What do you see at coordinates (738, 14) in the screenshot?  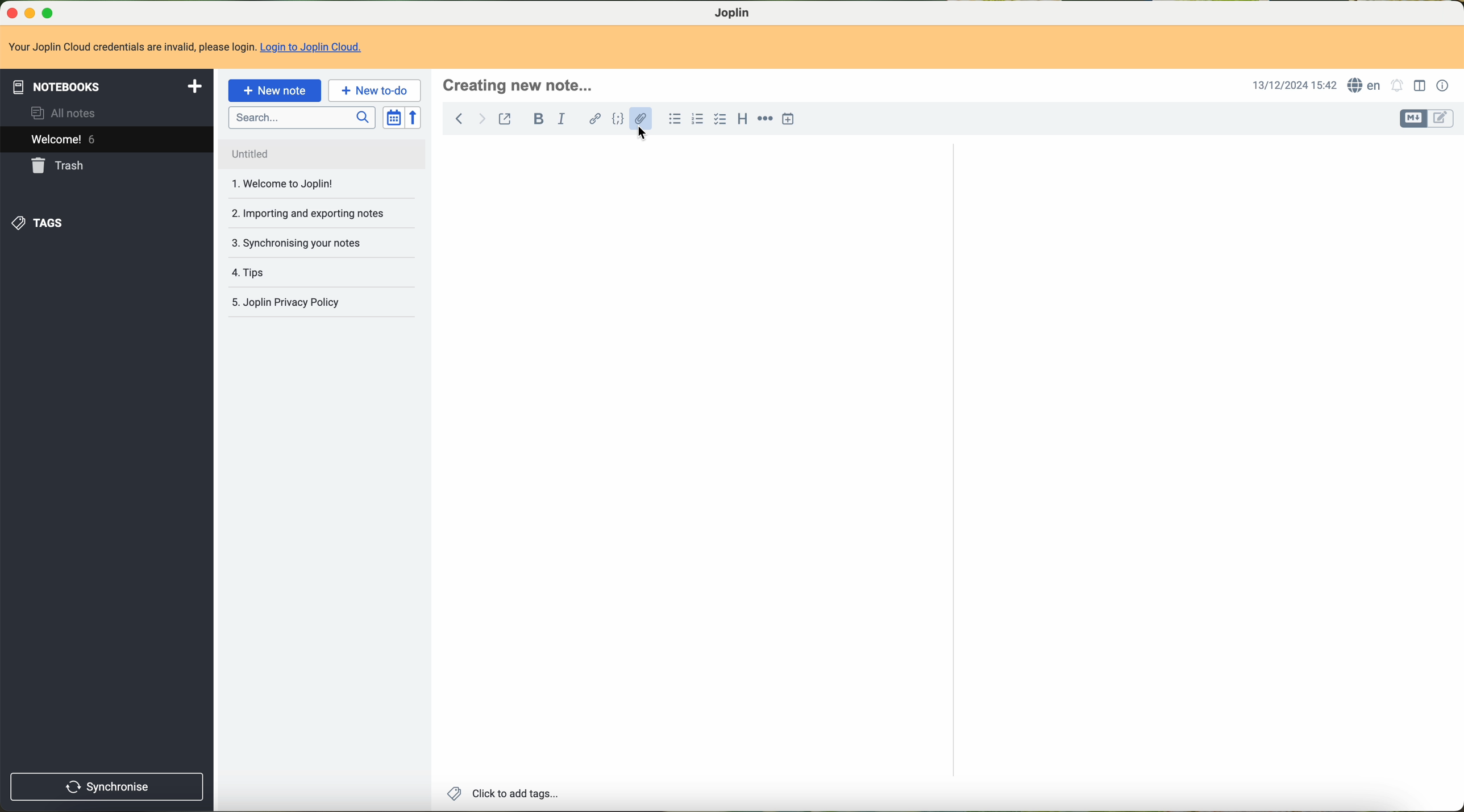 I see `Joplin` at bounding box center [738, 14].